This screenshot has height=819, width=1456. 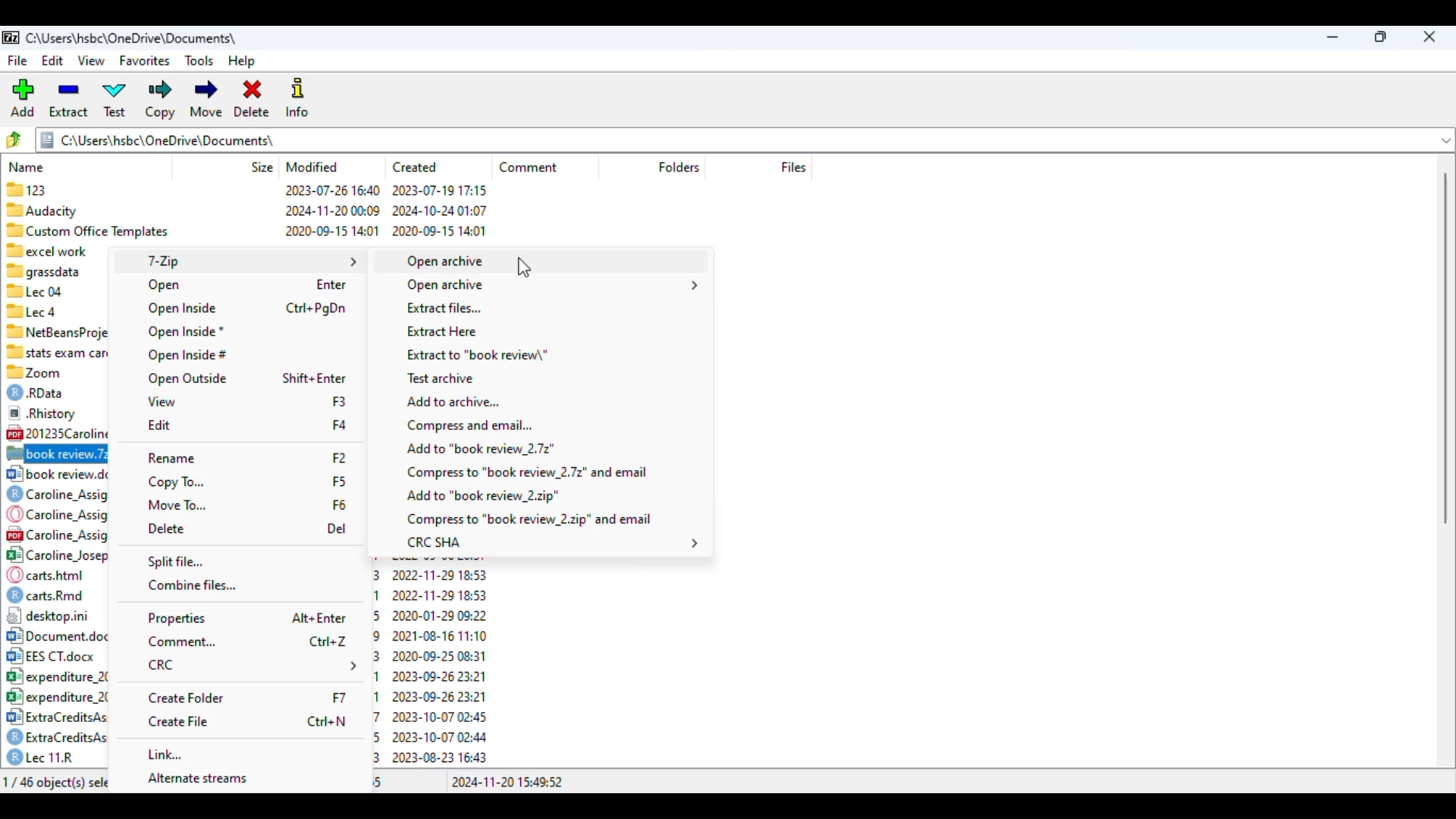 I want to click on 88 Zoom 2022-01-20 10:44 2020-10-02 00:42, so click(x=53, y=370).